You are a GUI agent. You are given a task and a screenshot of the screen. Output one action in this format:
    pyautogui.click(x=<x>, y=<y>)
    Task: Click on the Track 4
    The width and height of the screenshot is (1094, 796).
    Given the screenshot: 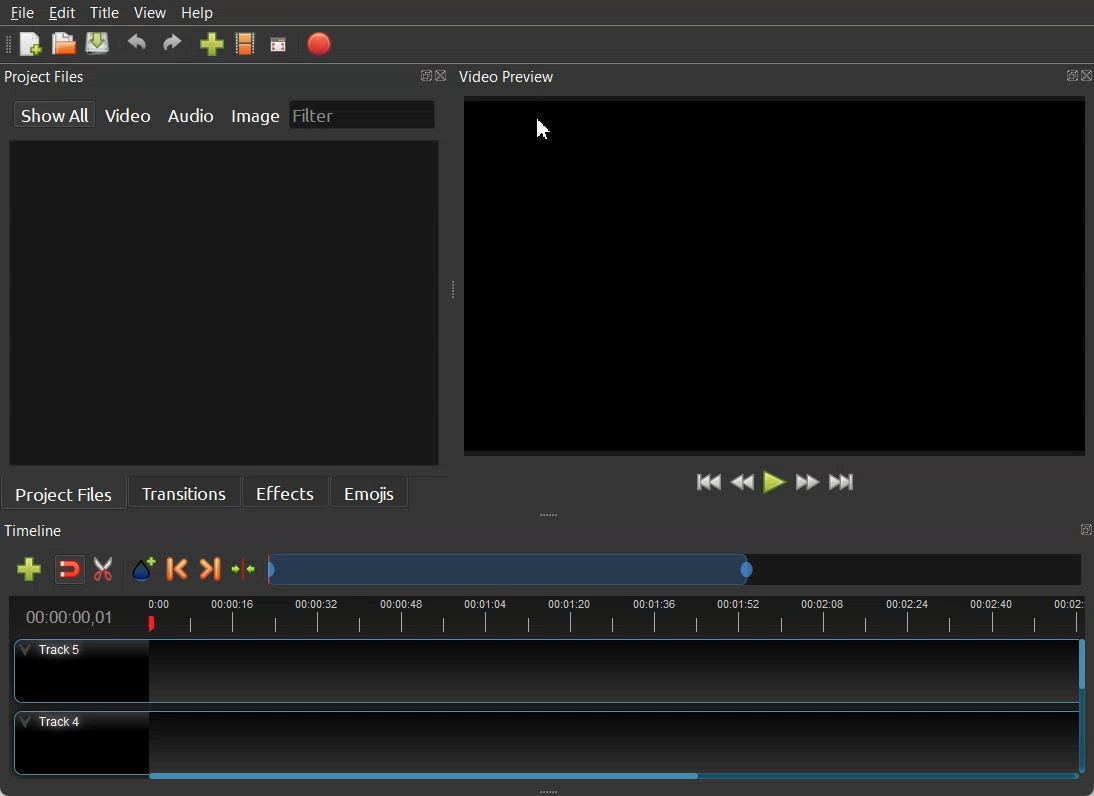 What is the action you would take?
    pyautogui.click(x=543, y=740)
    